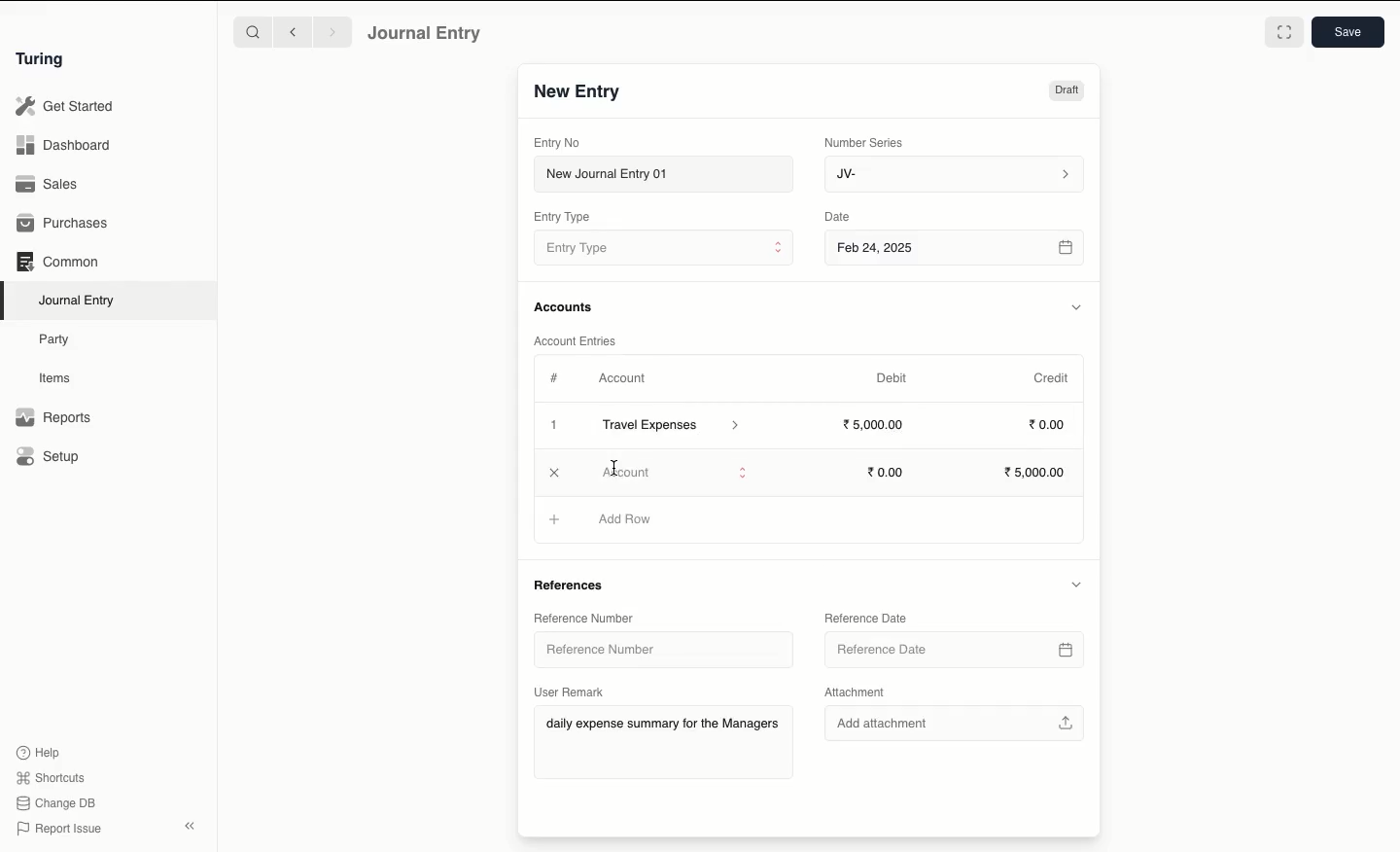 Image resolution: width=1400 pixels, height=852 pixels. I want to click on Change DB, so click(55, 803).